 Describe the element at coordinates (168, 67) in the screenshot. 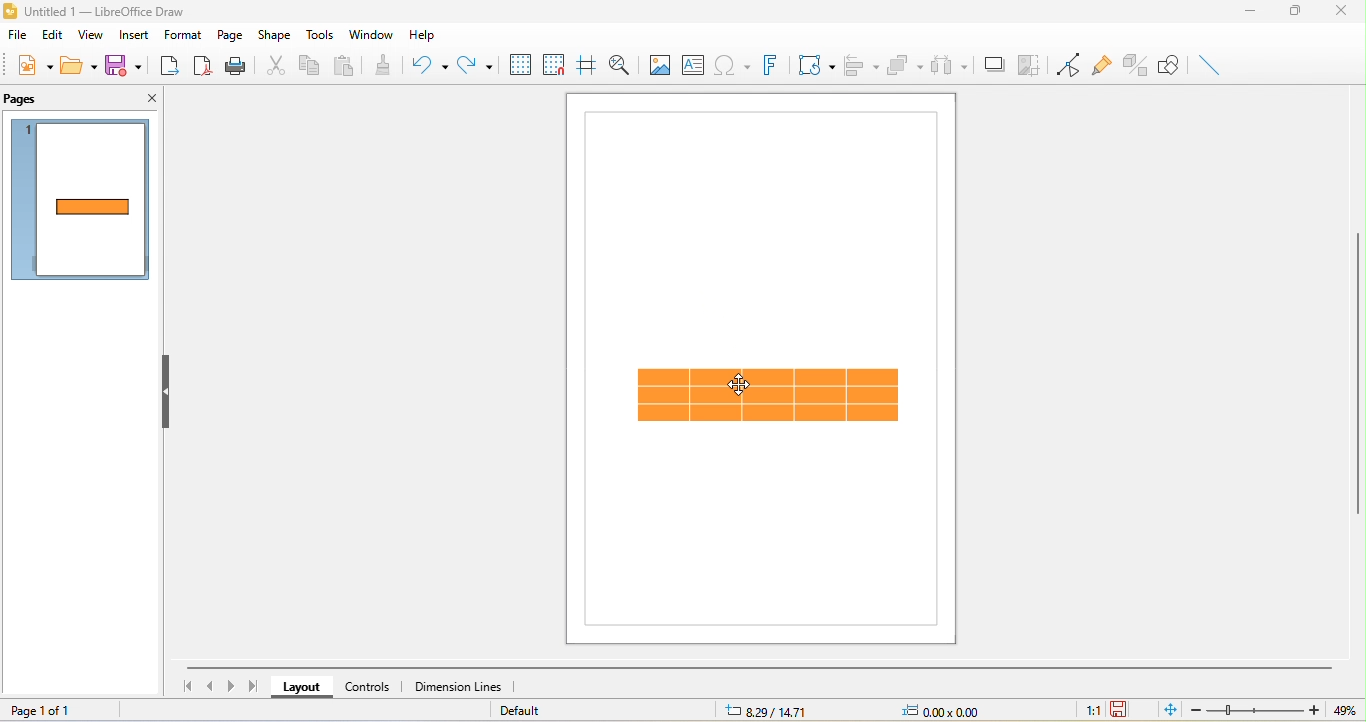

I see `export` at that location.